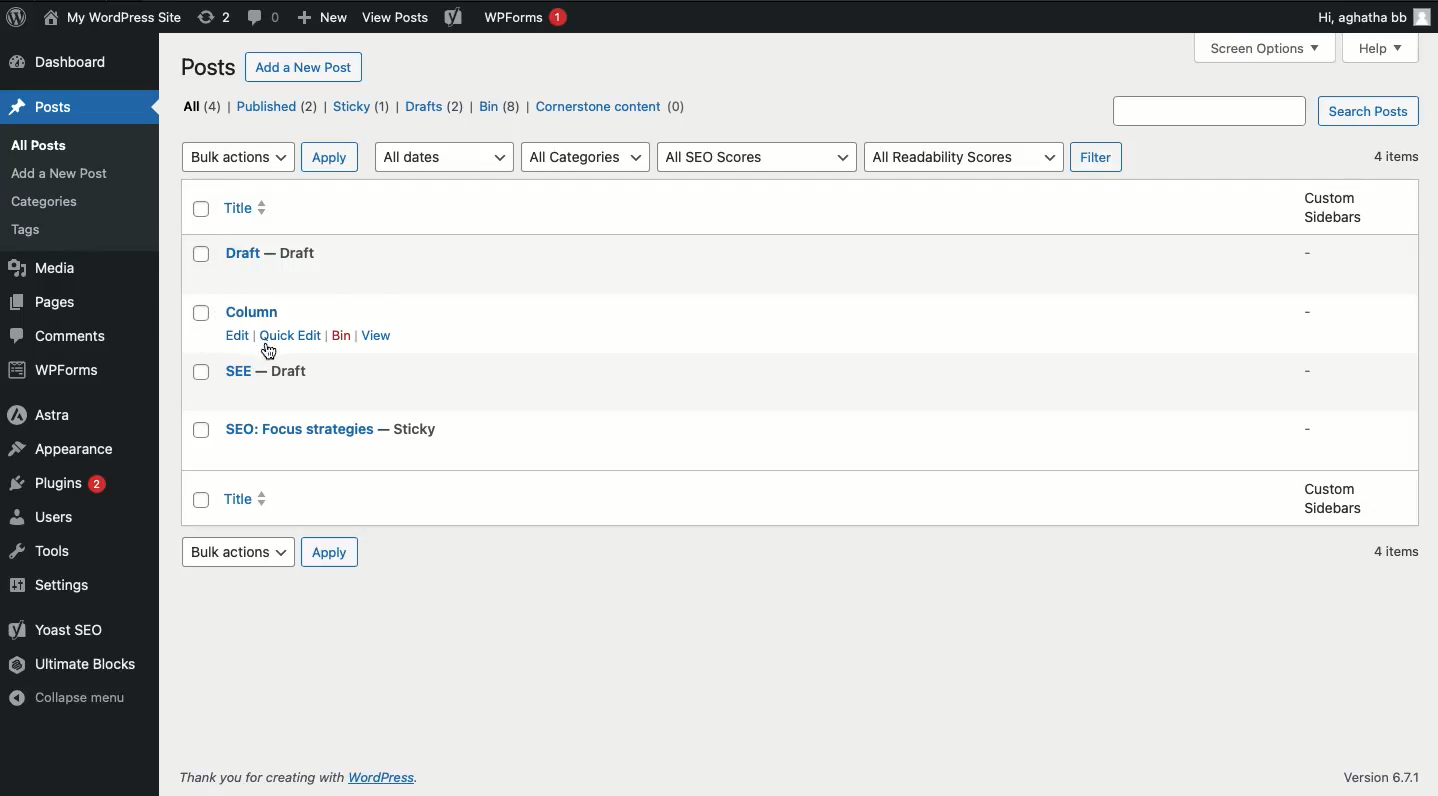 The height and width of the screenshot is (796, 1438). Describe the element at coordinates (200, 105) in the screenshot. I see `All` at that location.